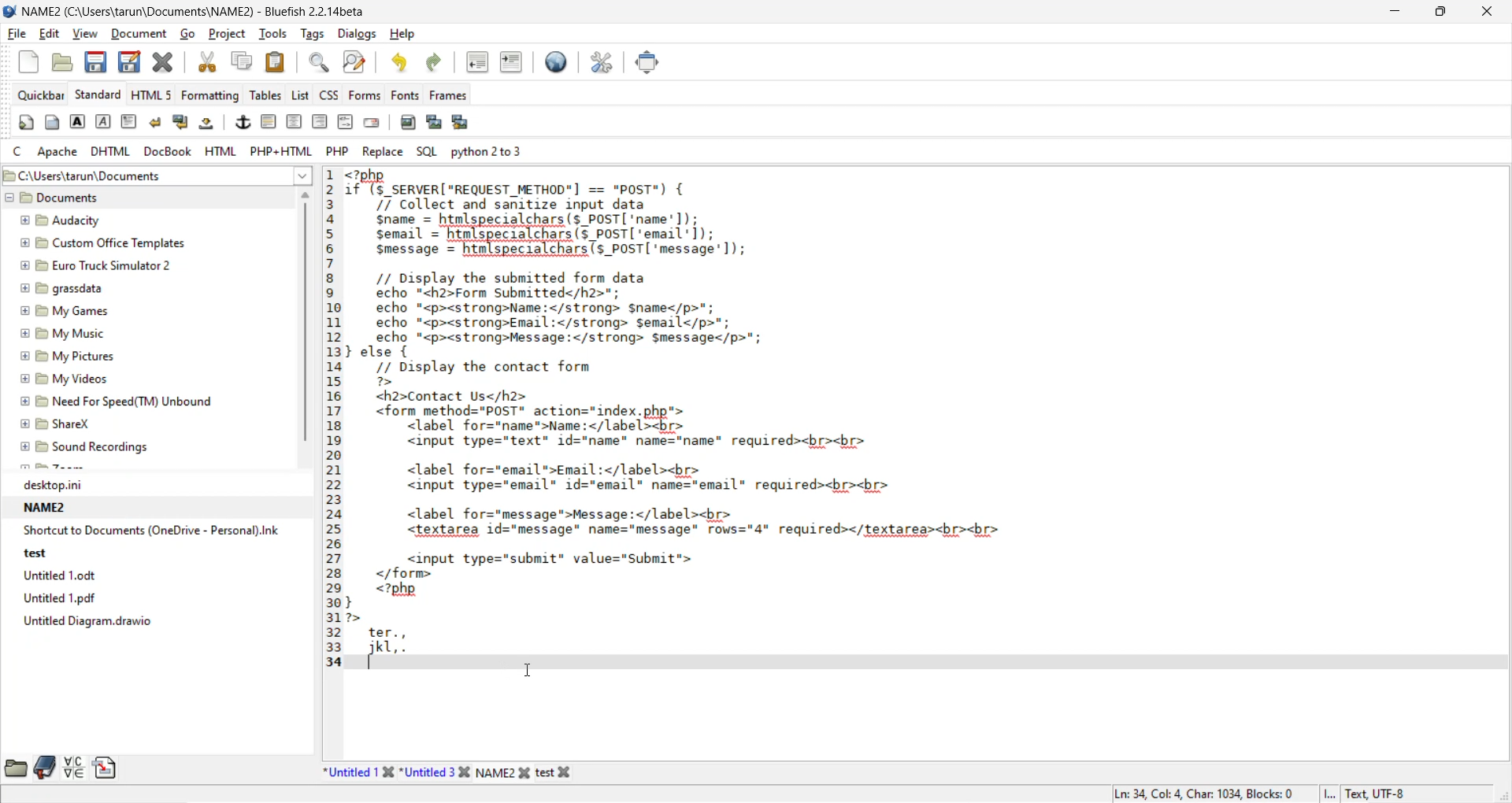 This screenshot has height=803, width=1512. Describe the element at coordinates (171, 151) in the screenshot. I see `docbook` at that location.